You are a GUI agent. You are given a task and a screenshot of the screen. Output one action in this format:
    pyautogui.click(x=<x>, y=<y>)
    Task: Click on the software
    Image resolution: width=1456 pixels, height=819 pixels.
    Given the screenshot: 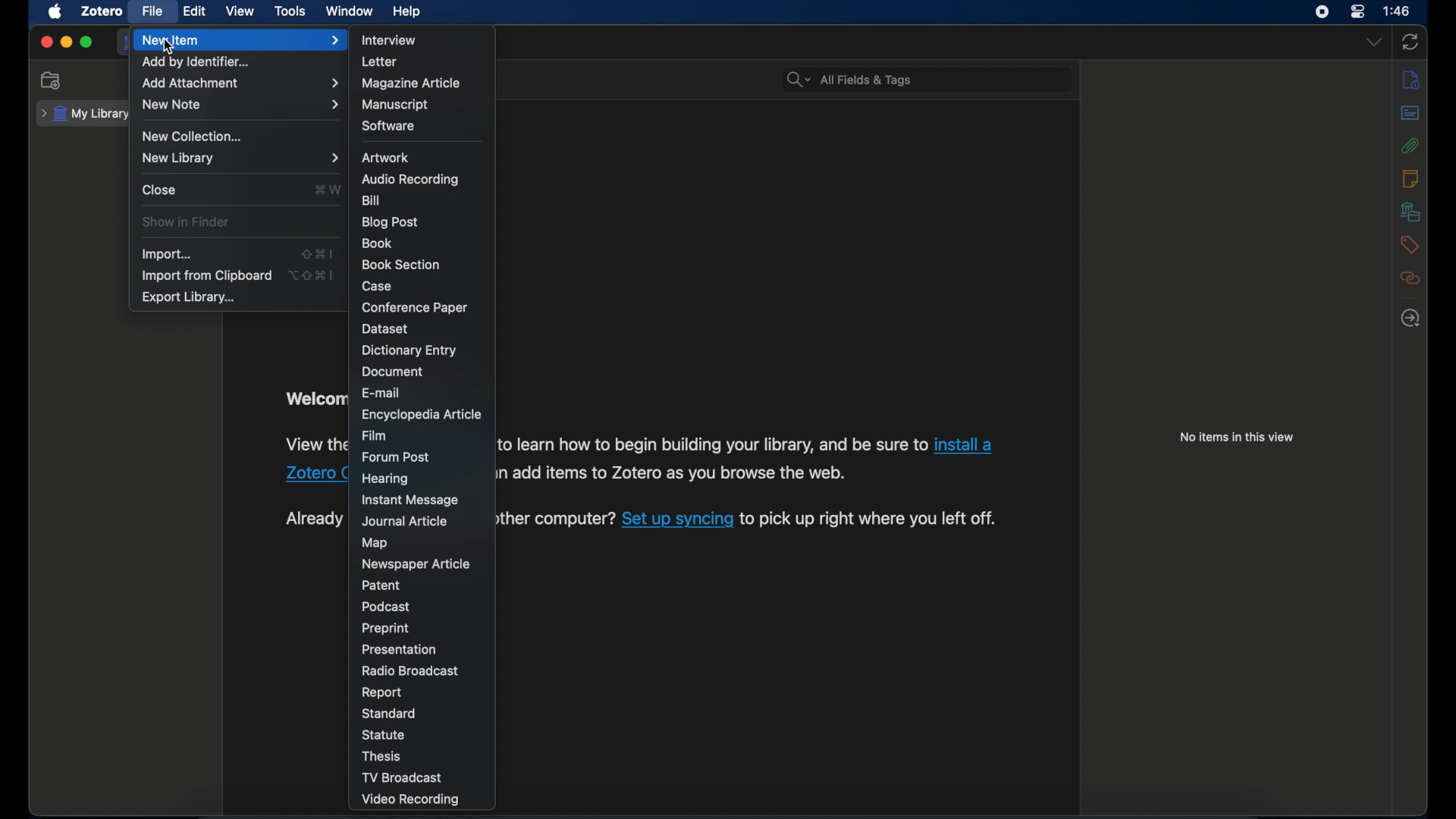 What is the action you would take?
    pyautogui.click(x=390, y=126)
    